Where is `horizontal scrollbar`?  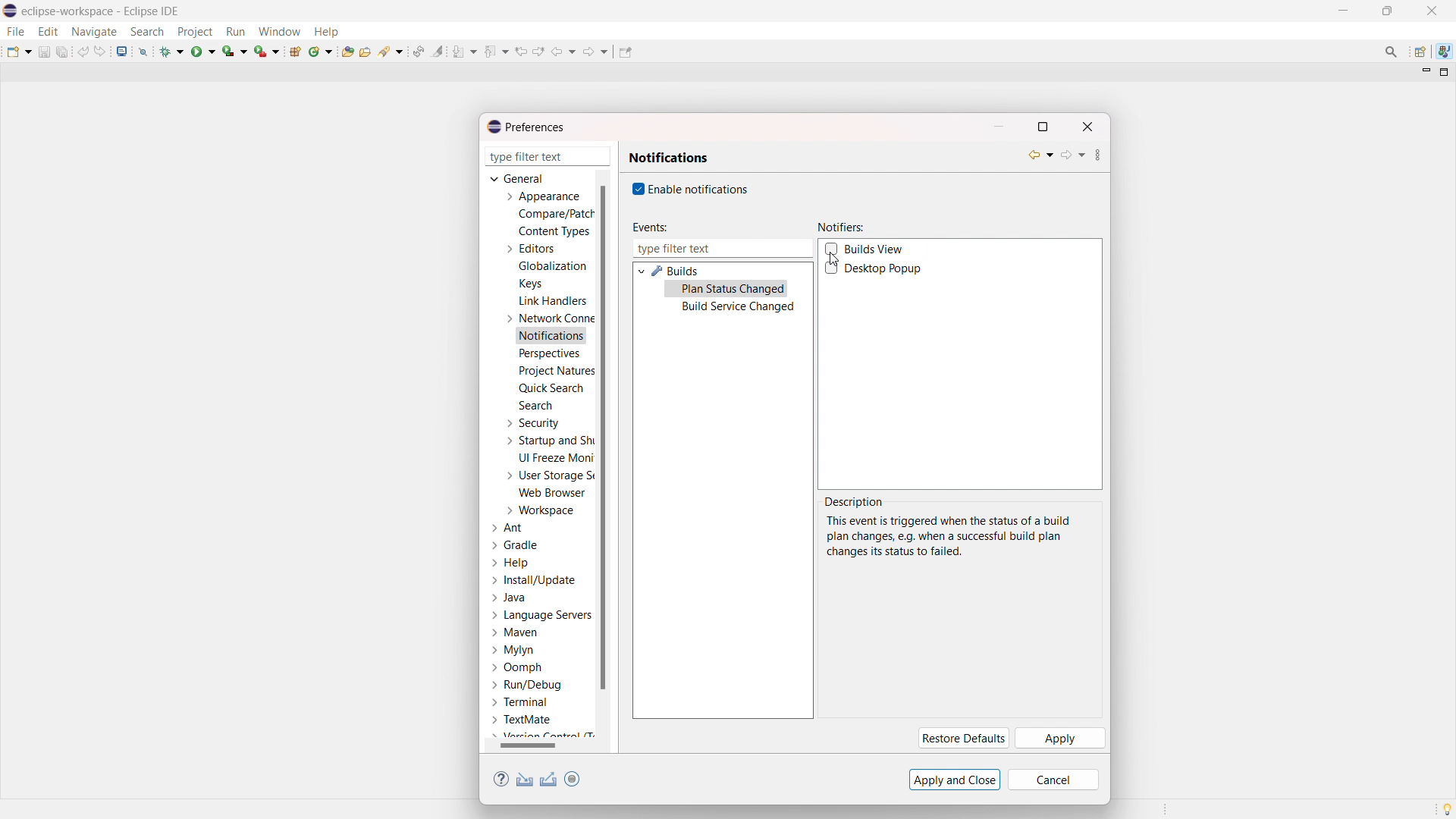 horizontal scrollbar is located at coordinates (528, 745).